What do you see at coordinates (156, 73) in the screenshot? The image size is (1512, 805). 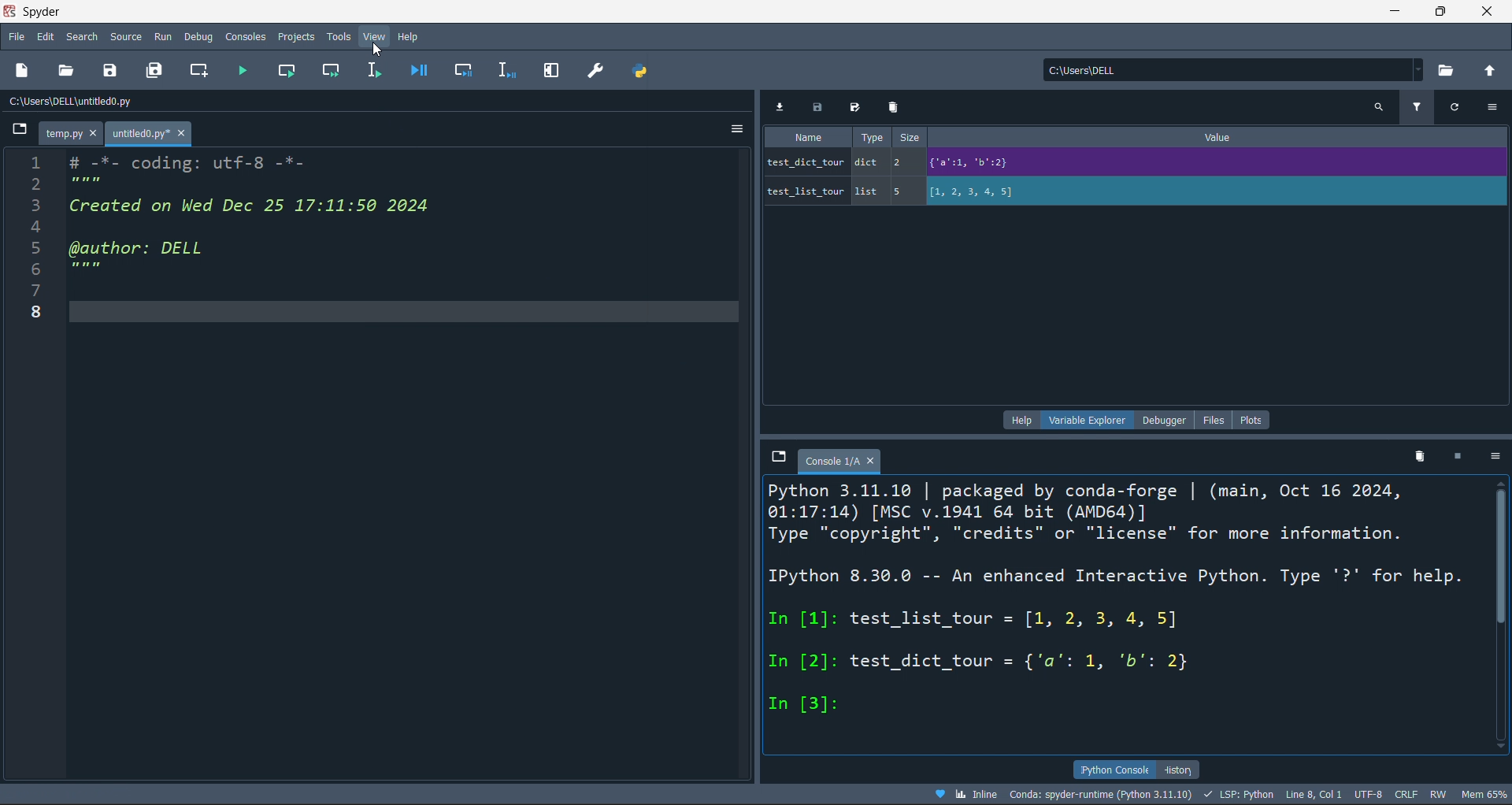 I see `save all` at bounding box center [156, 73].